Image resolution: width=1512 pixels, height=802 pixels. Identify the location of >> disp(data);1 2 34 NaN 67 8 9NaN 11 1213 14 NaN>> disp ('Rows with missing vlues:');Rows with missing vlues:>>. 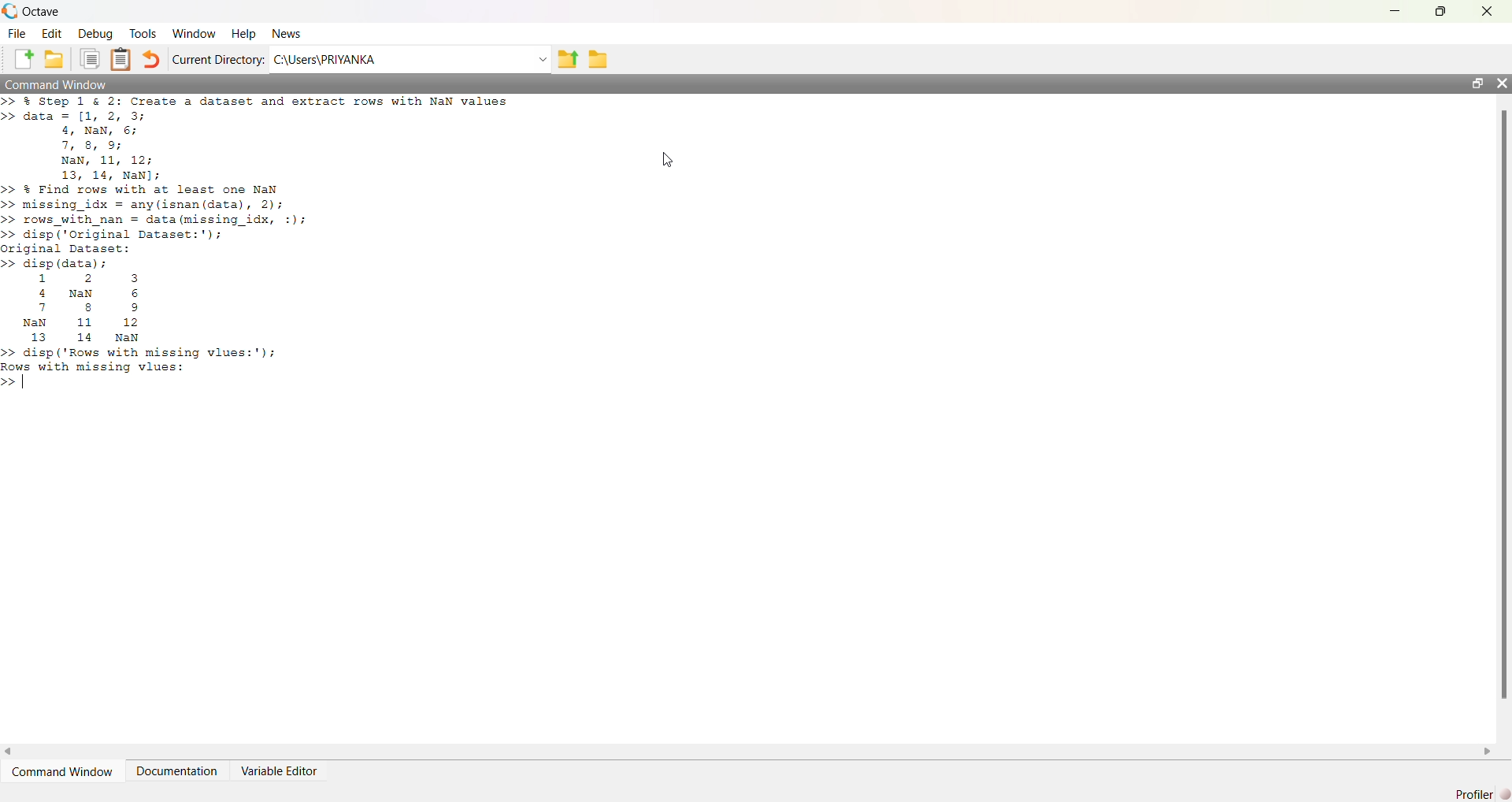
(143, 324).